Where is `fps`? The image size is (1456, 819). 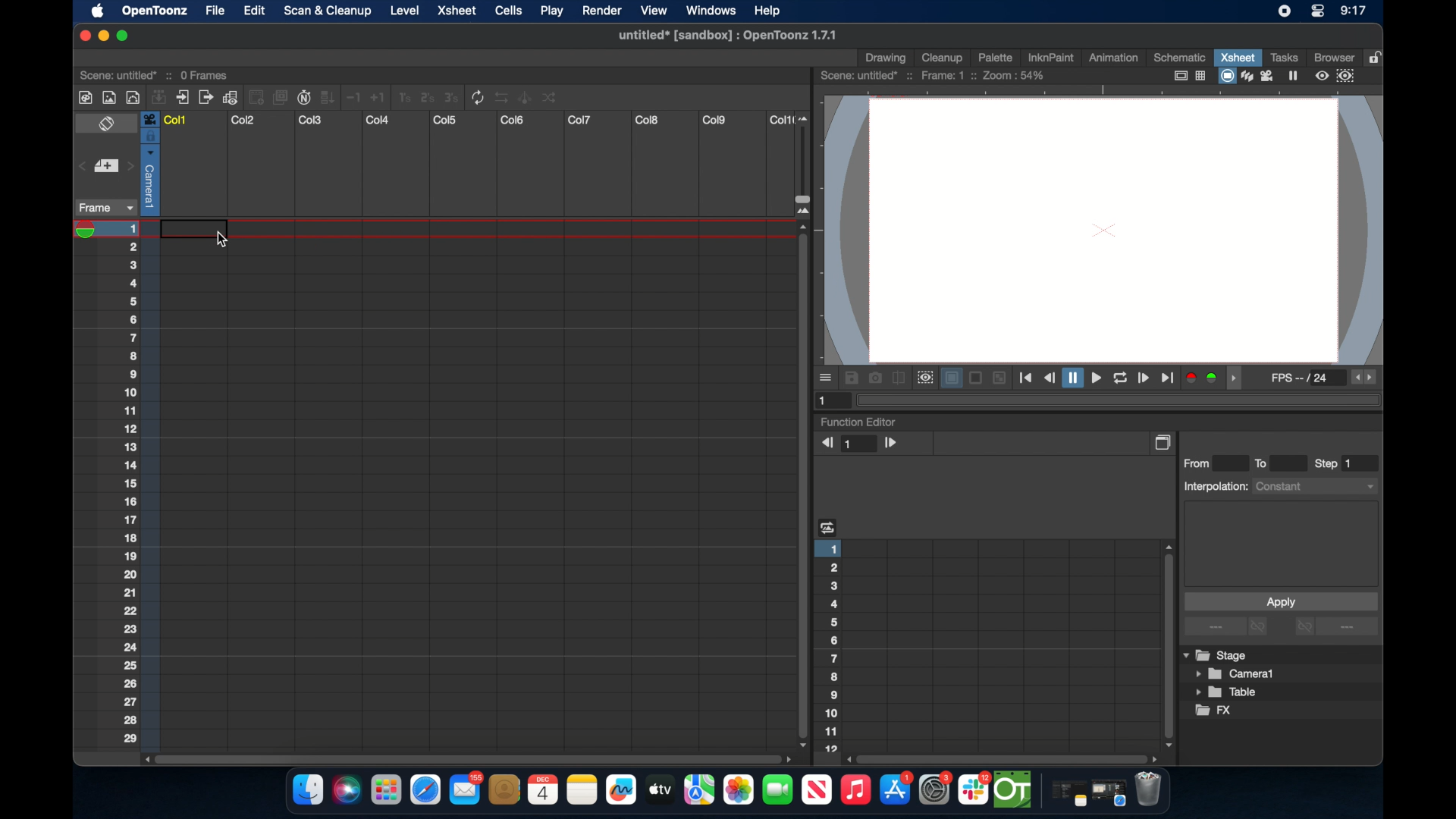
fps is located at coordinates (1365, 378).